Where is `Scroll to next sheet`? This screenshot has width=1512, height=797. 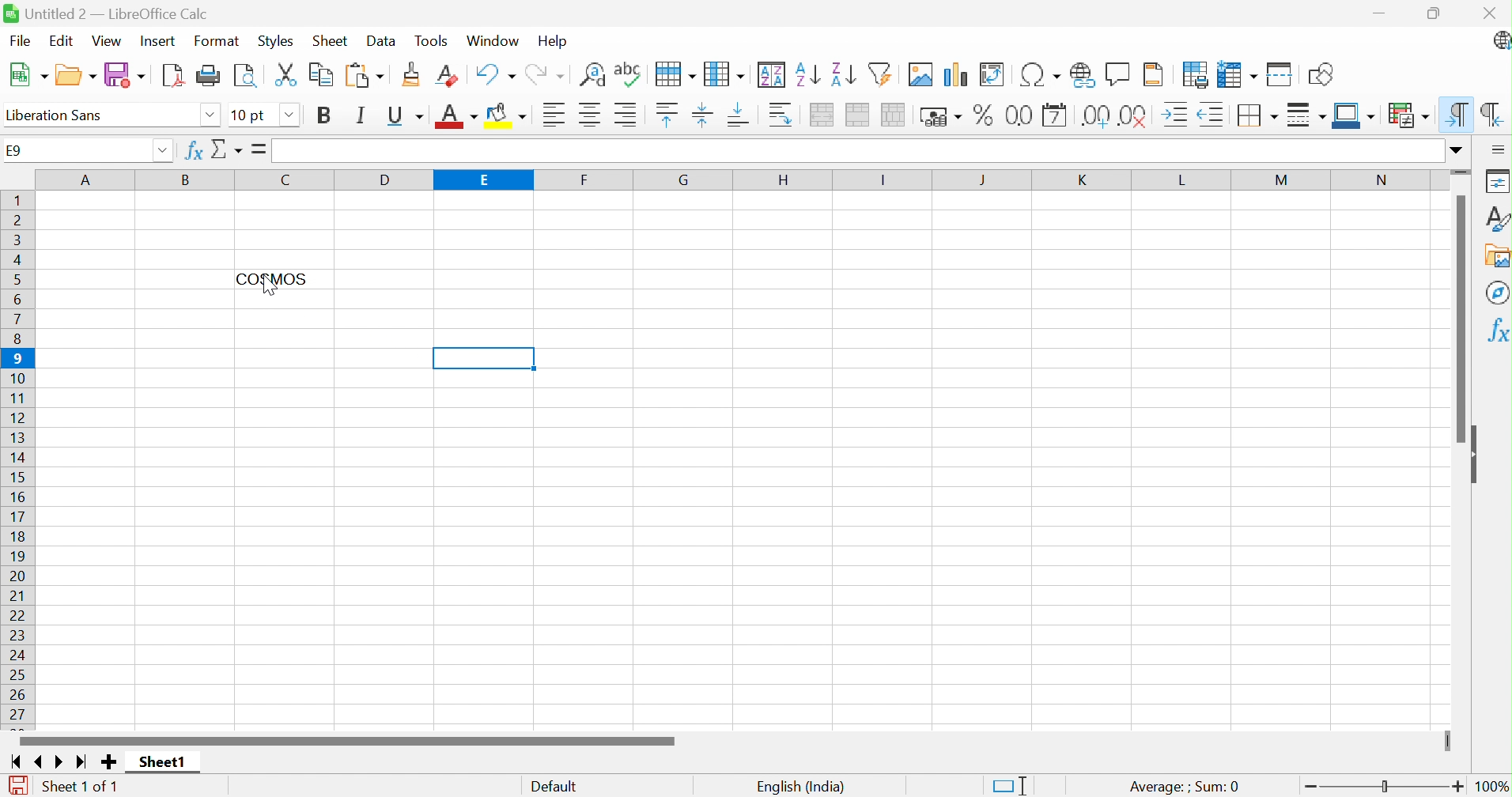
Scroll to next sheet is located at coordinates (62, 762).